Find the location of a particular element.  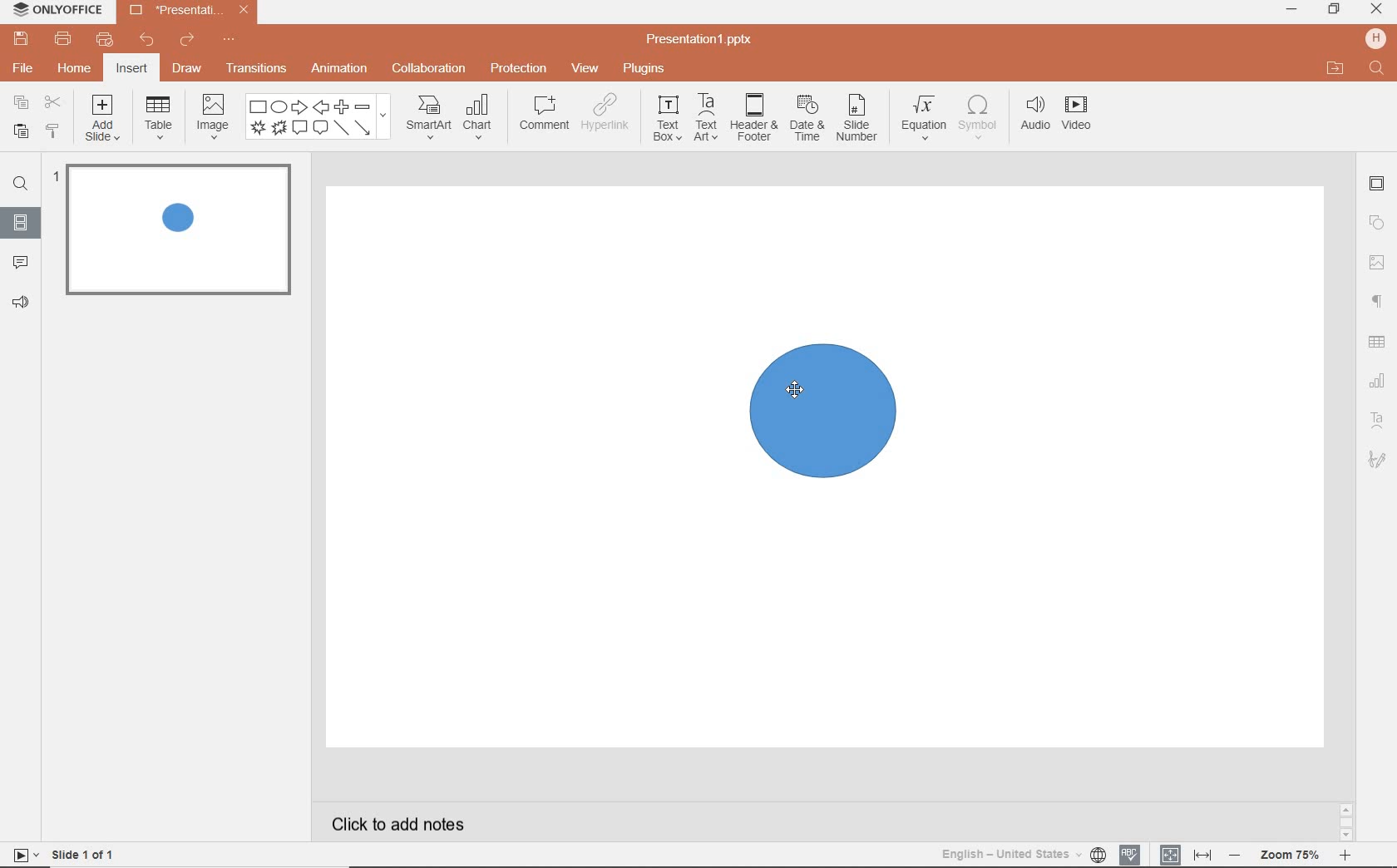

cut is located at coordinates (52, 102).